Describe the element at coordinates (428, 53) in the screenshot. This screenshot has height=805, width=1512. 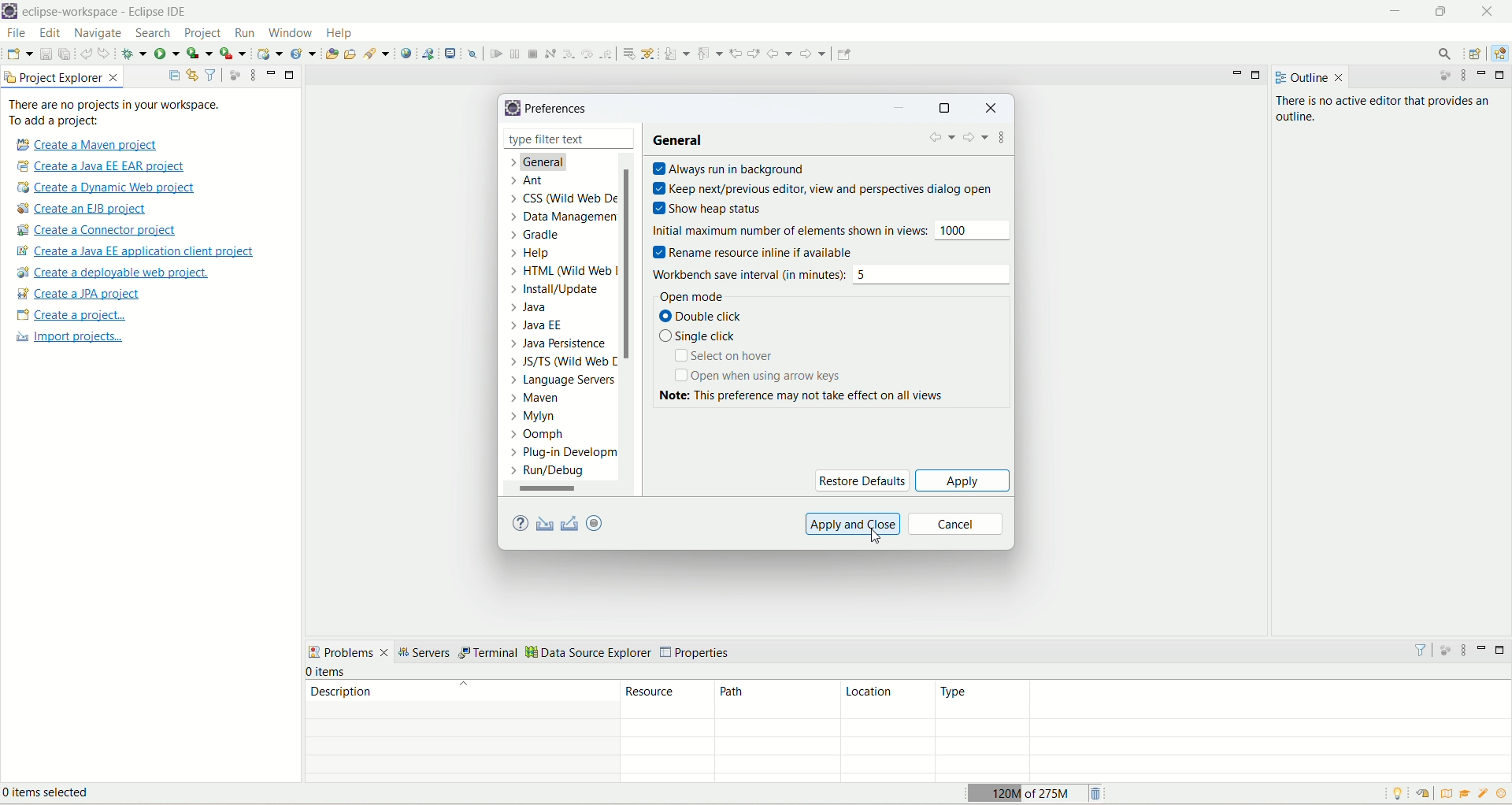
I see `launch web service` at that location.